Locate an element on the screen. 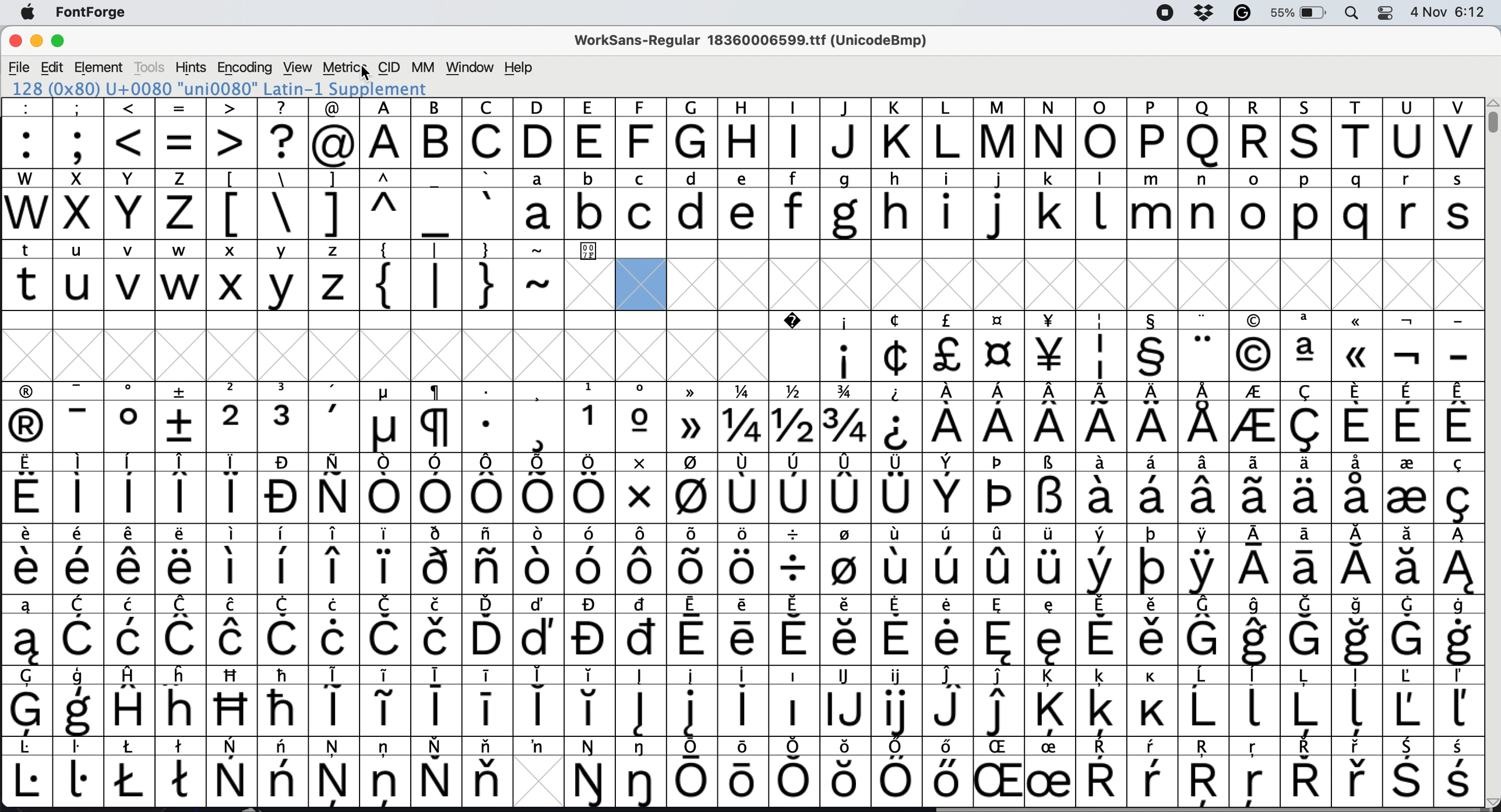 This screenshot has height=812, width=1501. lowercase letters is located at coordinates (182, 286).